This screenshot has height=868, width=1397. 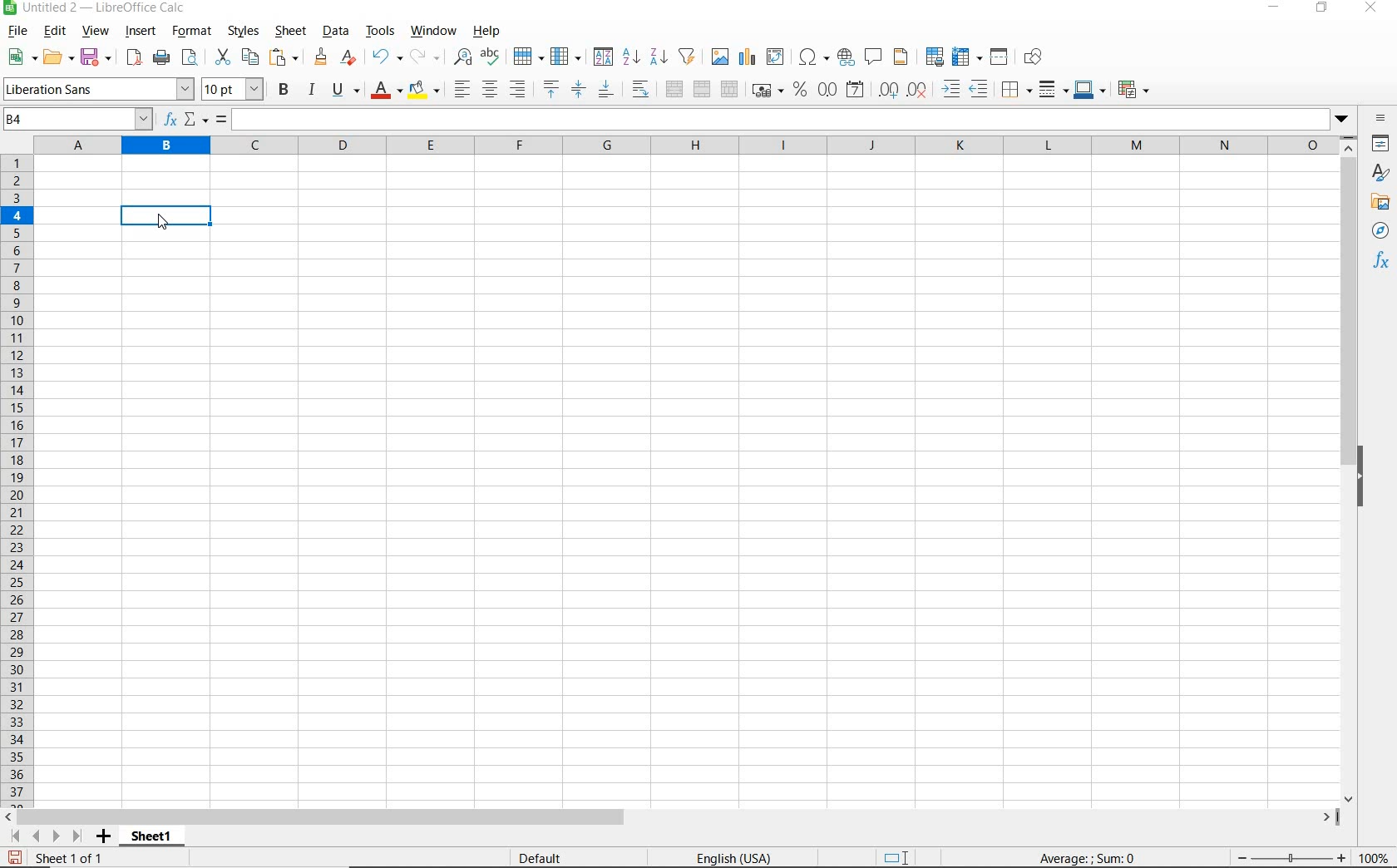 I want to click on format as number, so click(x=828, y=91).